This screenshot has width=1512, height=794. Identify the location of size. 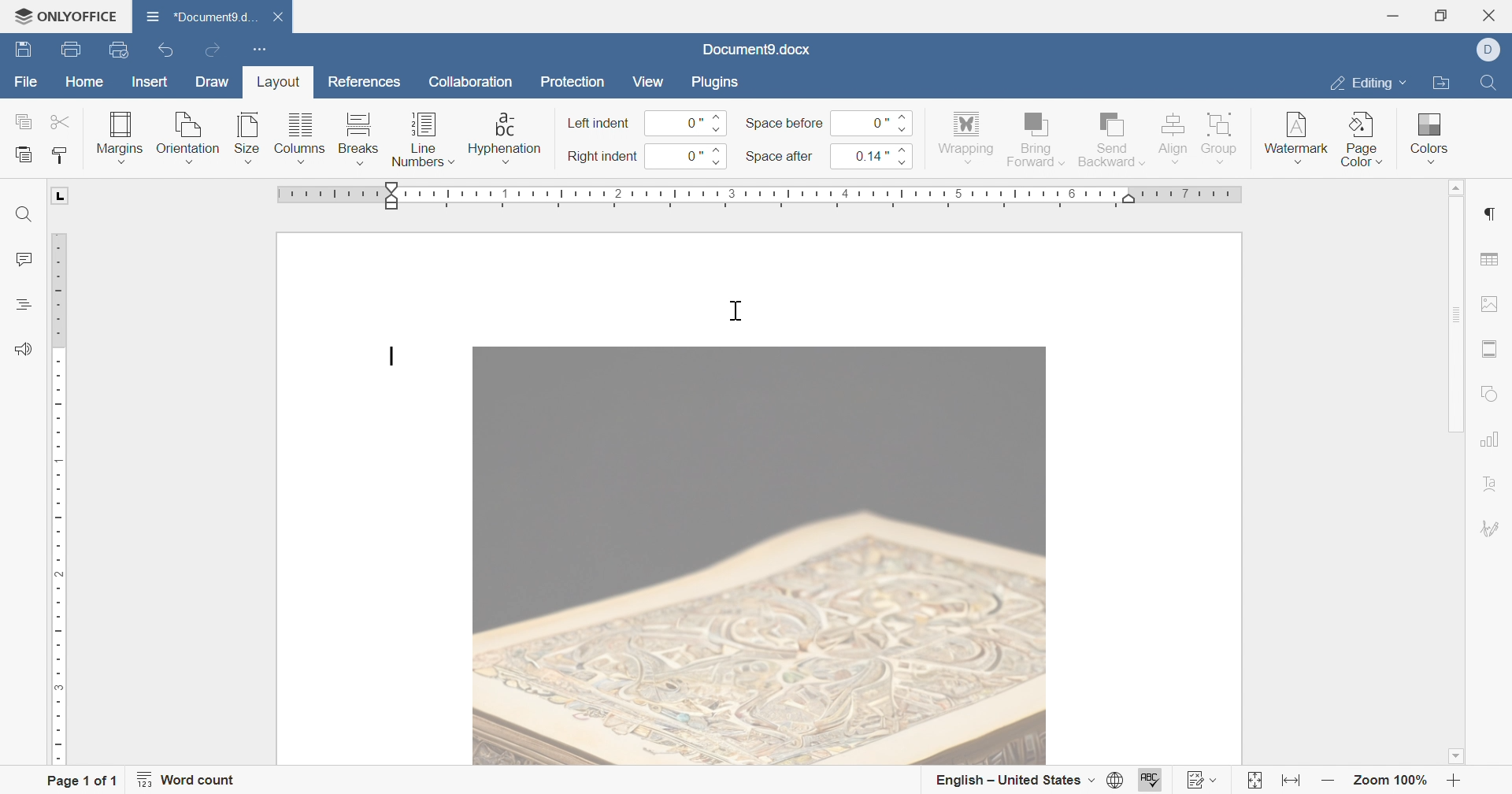
(246, 138).